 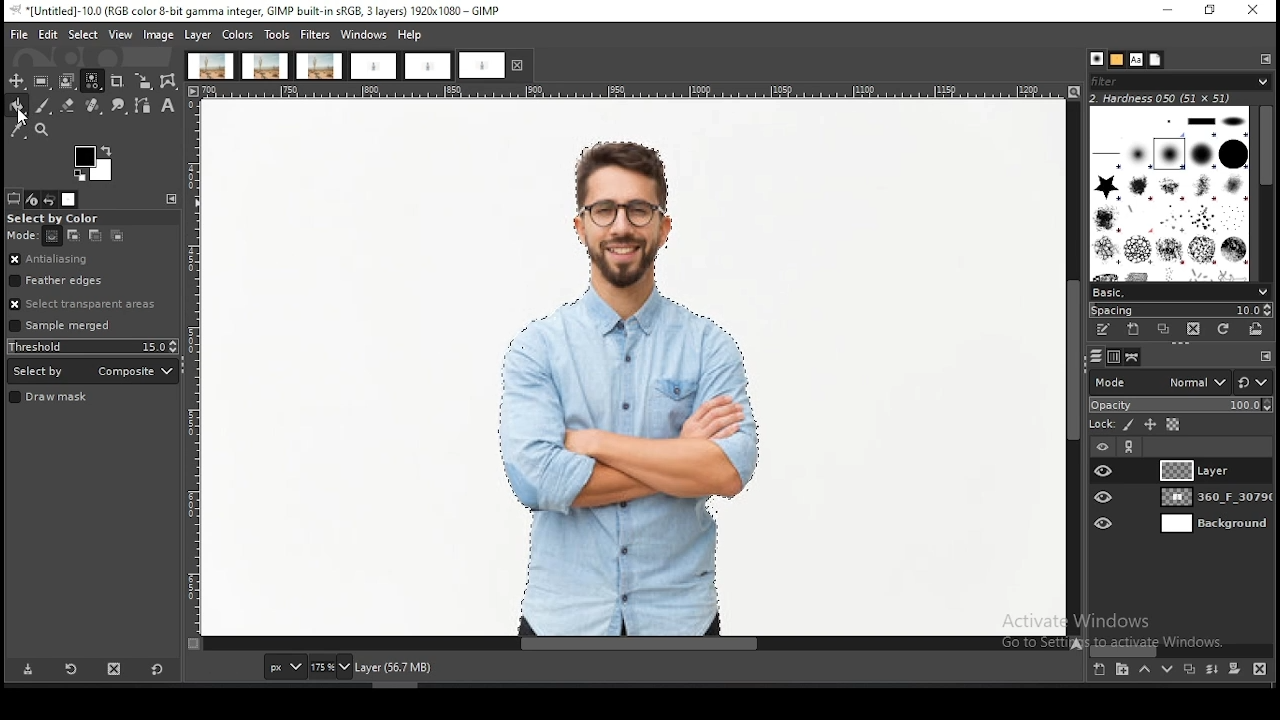 What do you see at coordinates (320, 66) in the screenshot?
I see `project tab` at bounding box center [320, 66].